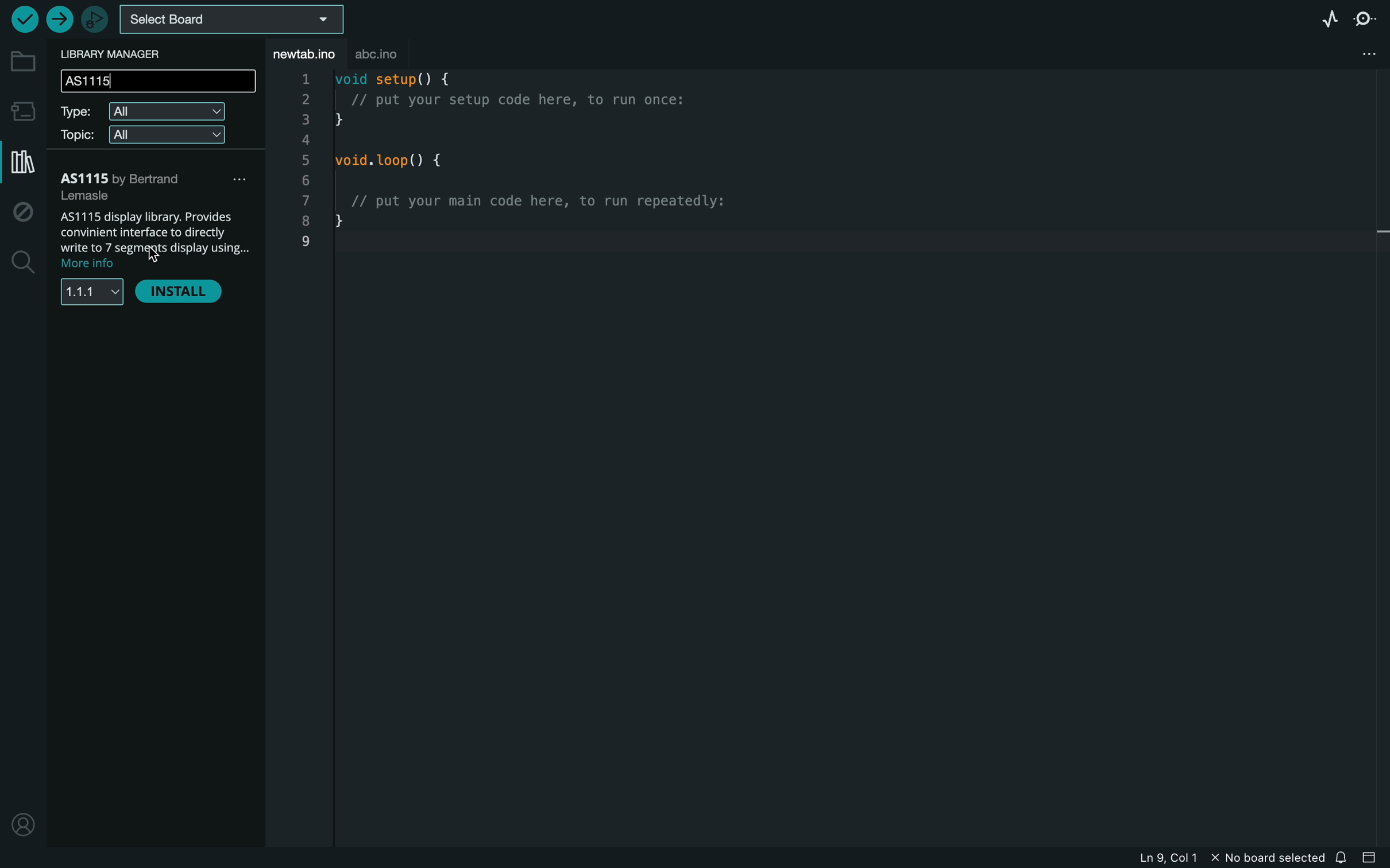 Image resolution: width=1390 pixels, height=868 pixels. I want to click on versions, so click(92, 296).